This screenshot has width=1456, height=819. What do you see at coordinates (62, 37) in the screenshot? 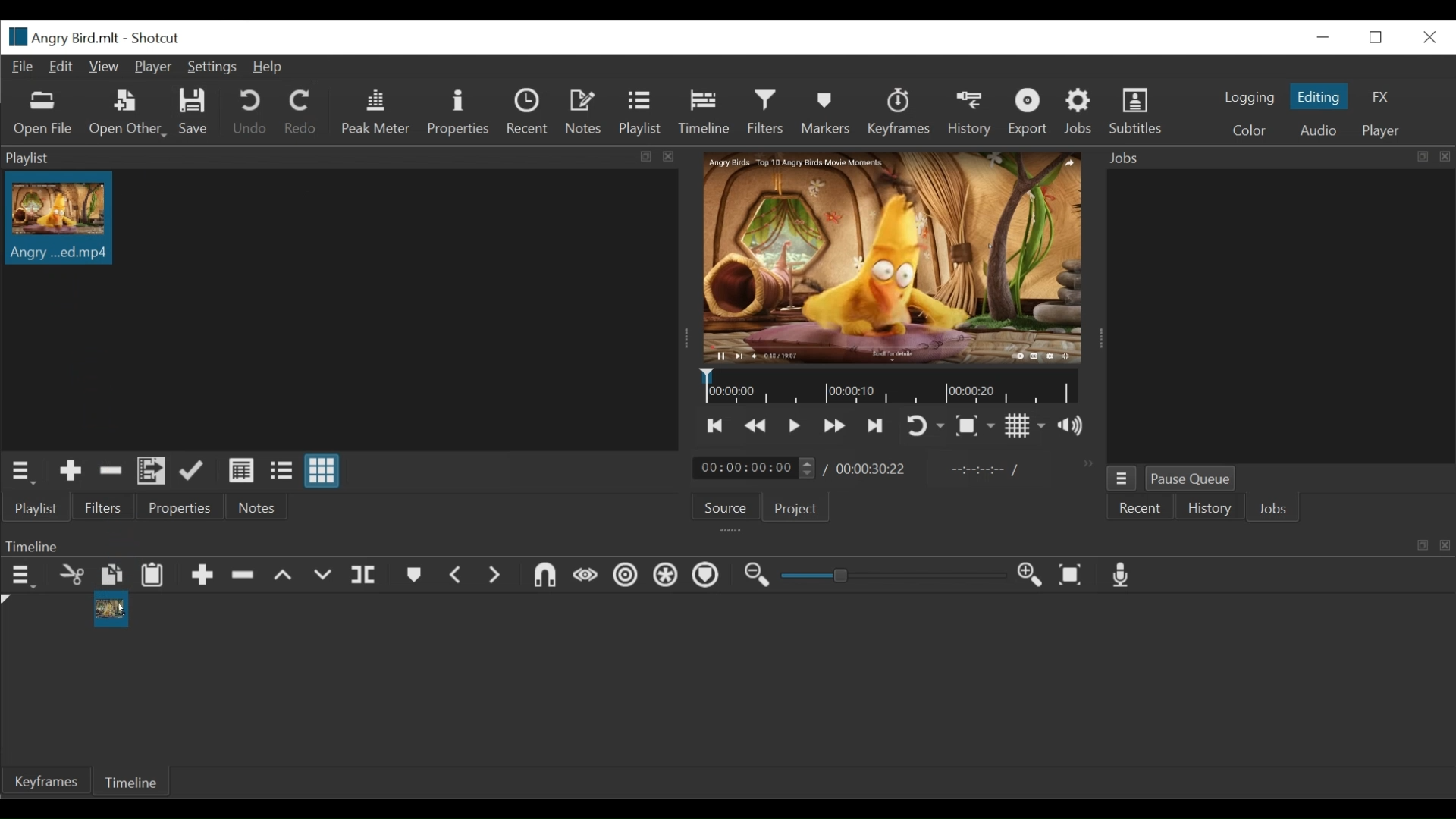
I see `File name` at bounding box center [62, 37].